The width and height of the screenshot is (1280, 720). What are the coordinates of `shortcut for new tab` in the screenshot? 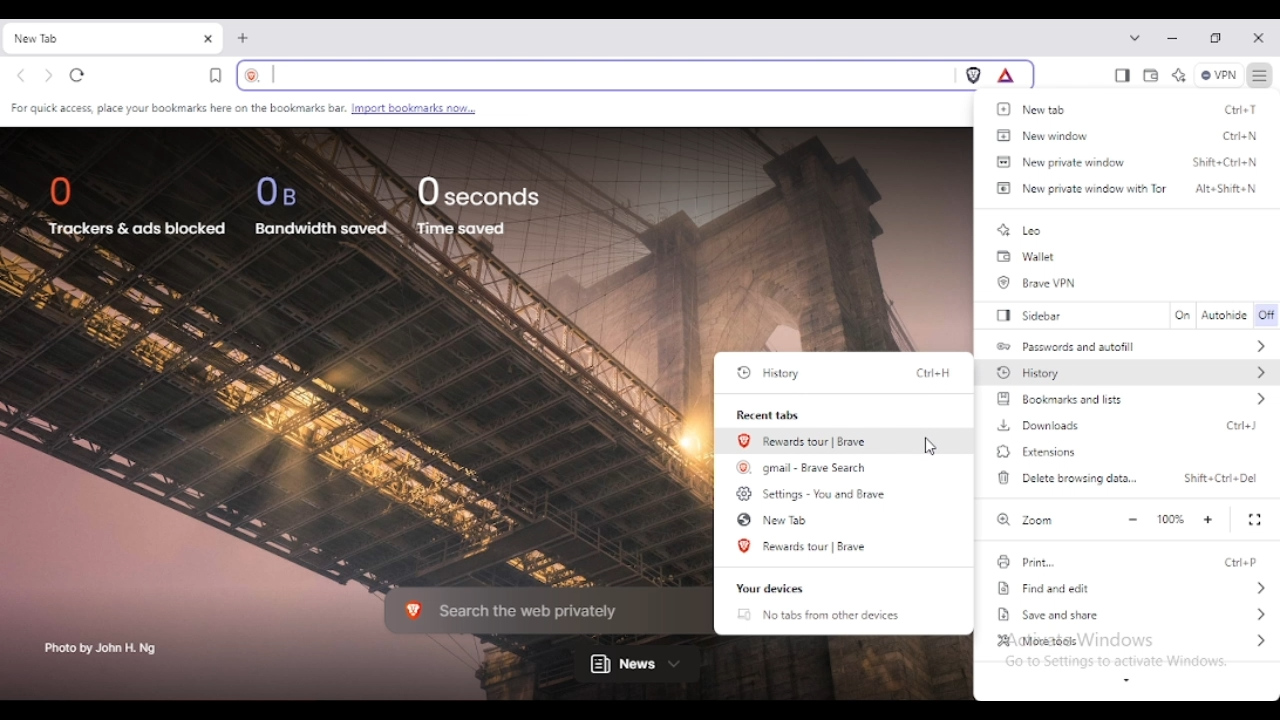 It's located at (1242, 109).